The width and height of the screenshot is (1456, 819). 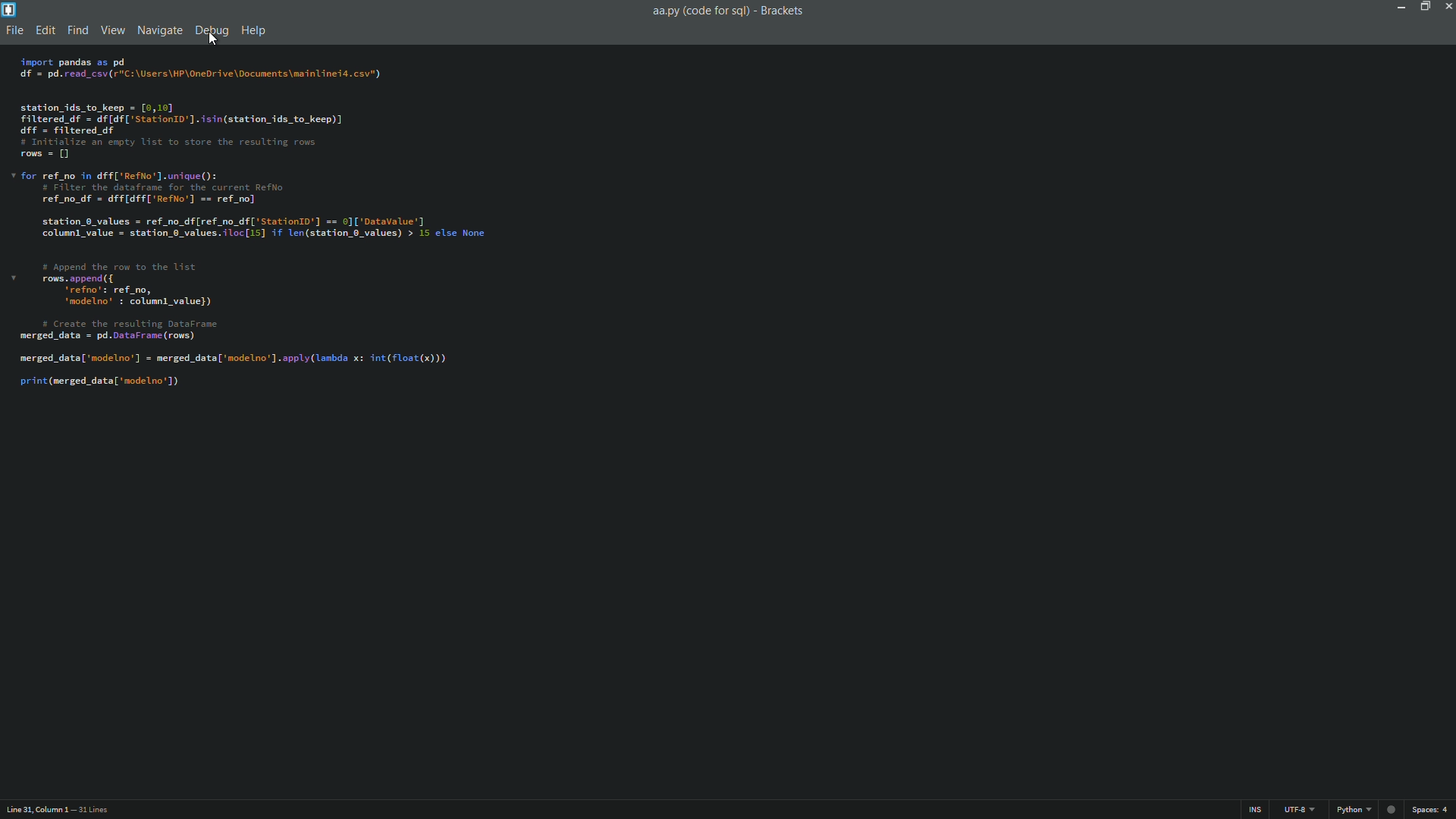 What do you see at coordinates (1432, 810) in the screenshot?
I see `space` at bounding box center [1432, 810].